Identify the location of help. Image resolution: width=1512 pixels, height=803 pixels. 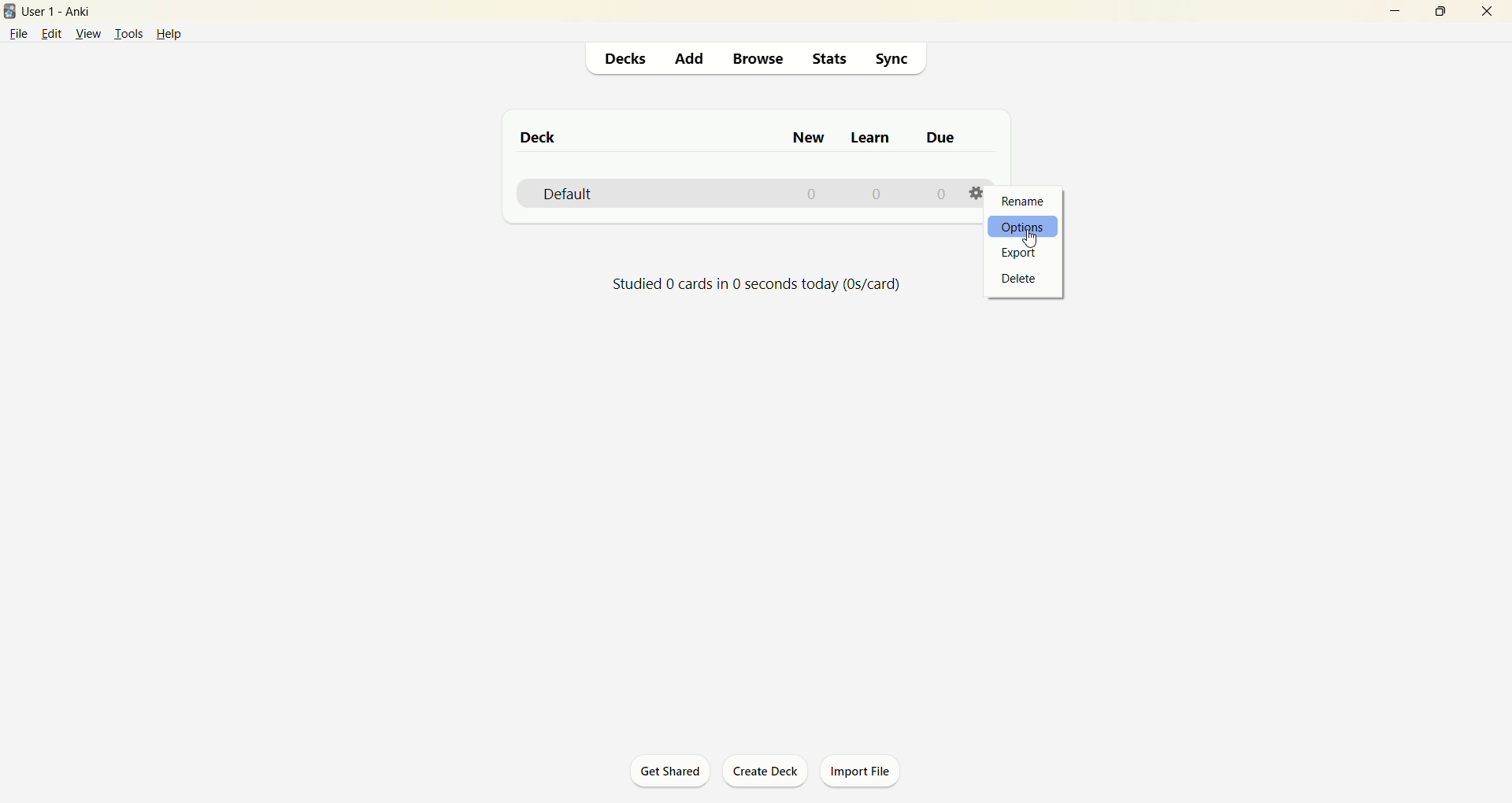
(178, 33).